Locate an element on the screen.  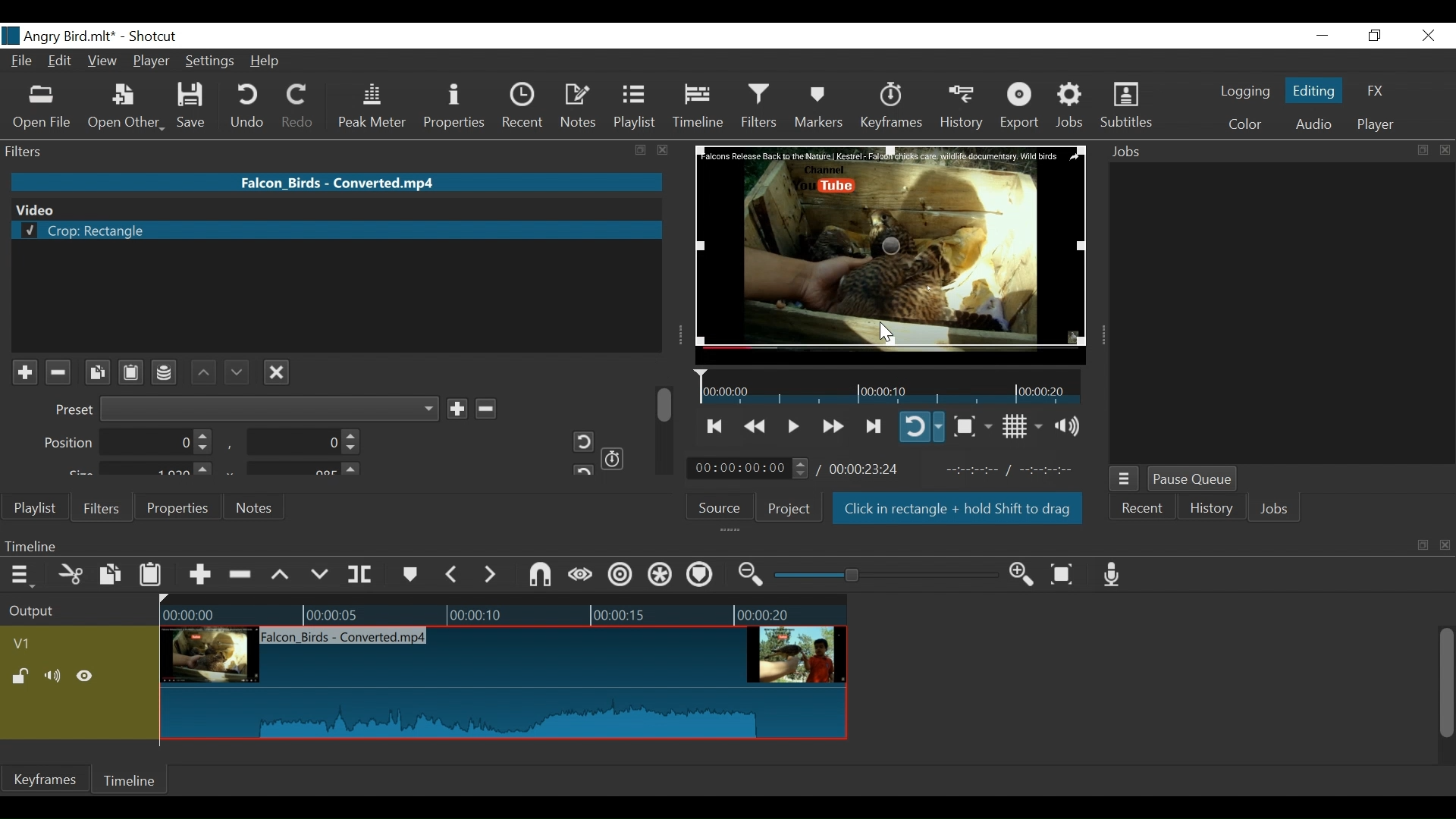
Mute is located at coordinates (55, 677).